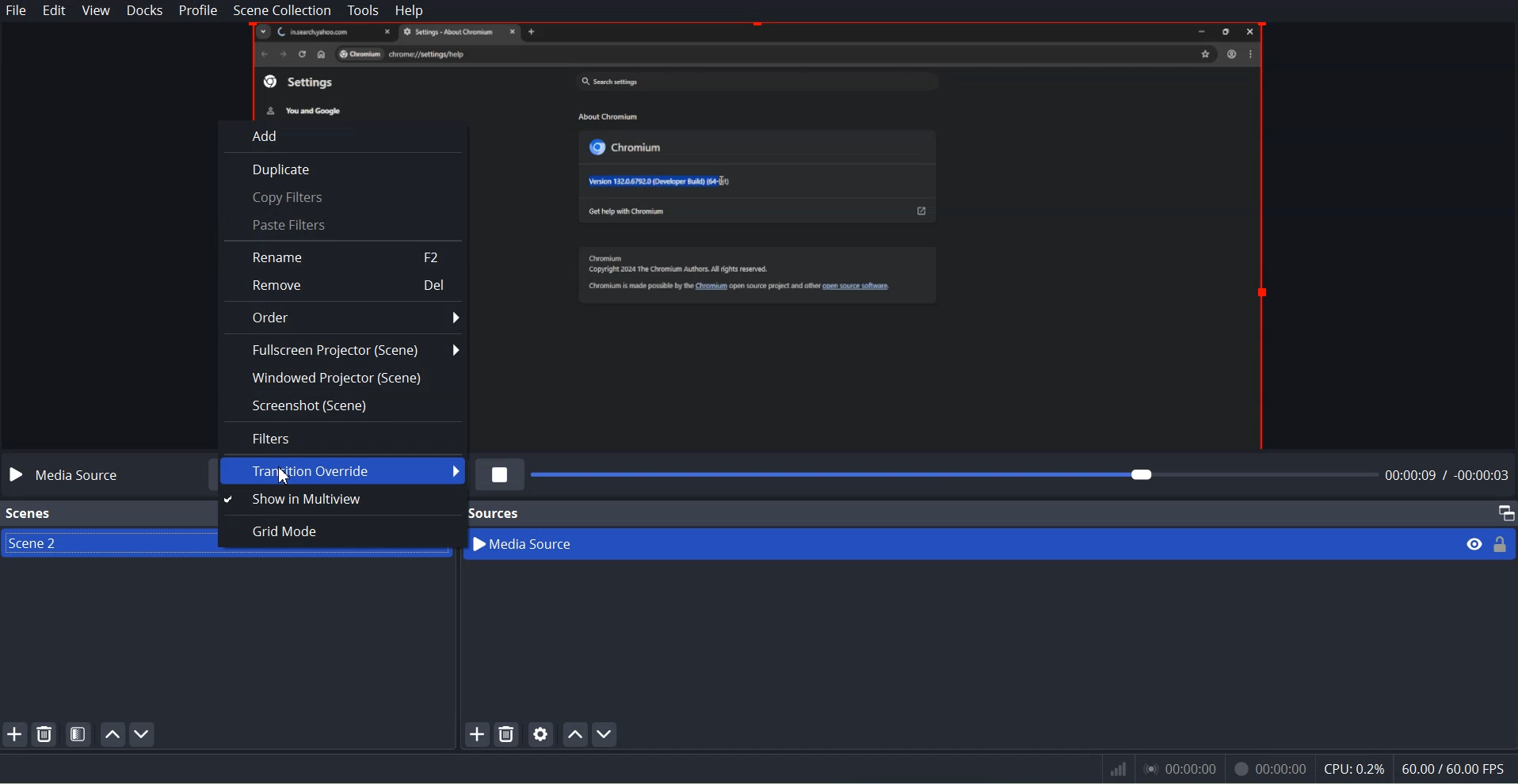 The image size is (1518, 784). Describe the element at coordinates (96, 11) in the screenshot. I see `View` at that location.